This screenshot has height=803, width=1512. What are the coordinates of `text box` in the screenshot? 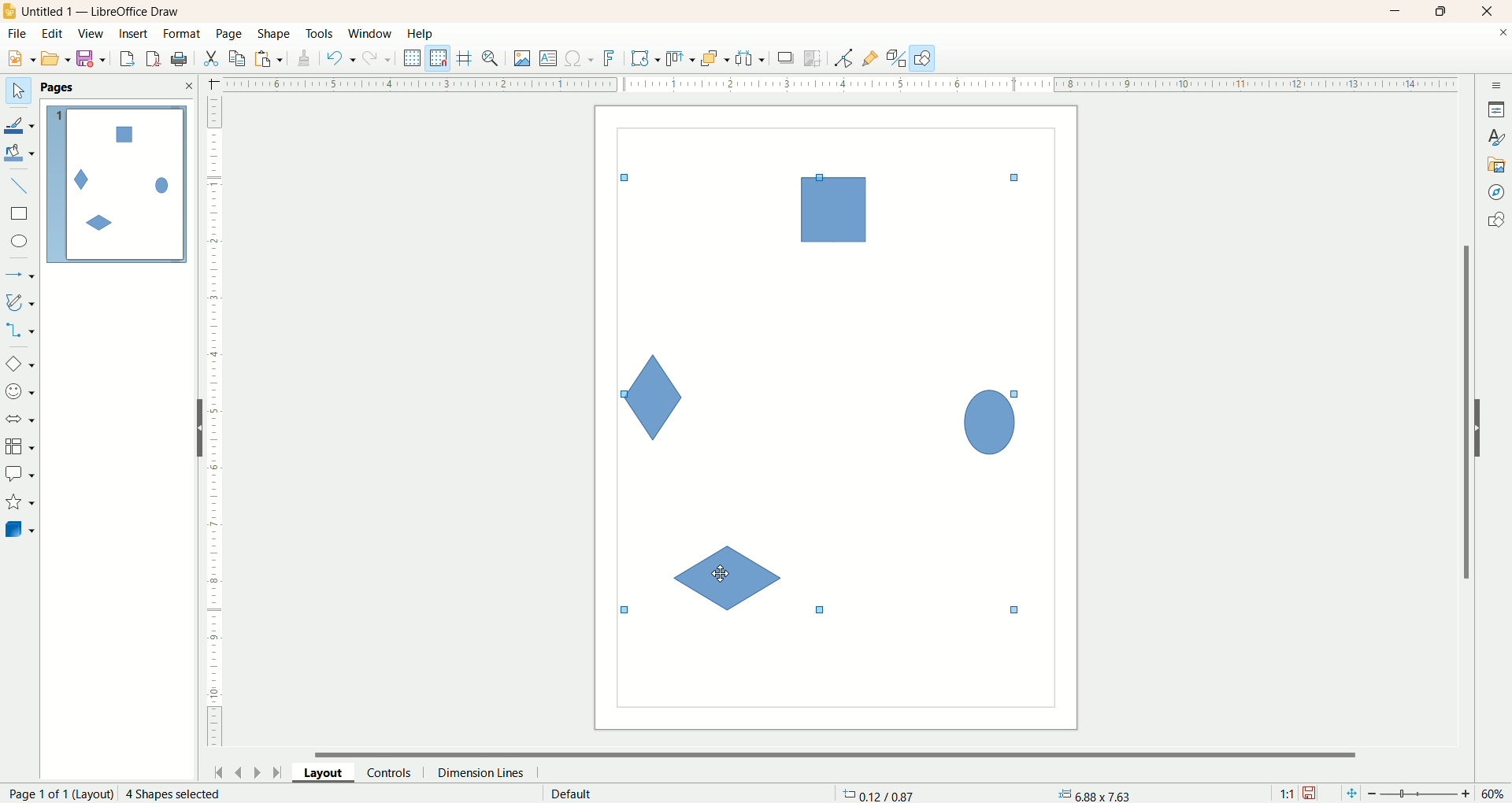 It's located at (550, 60).